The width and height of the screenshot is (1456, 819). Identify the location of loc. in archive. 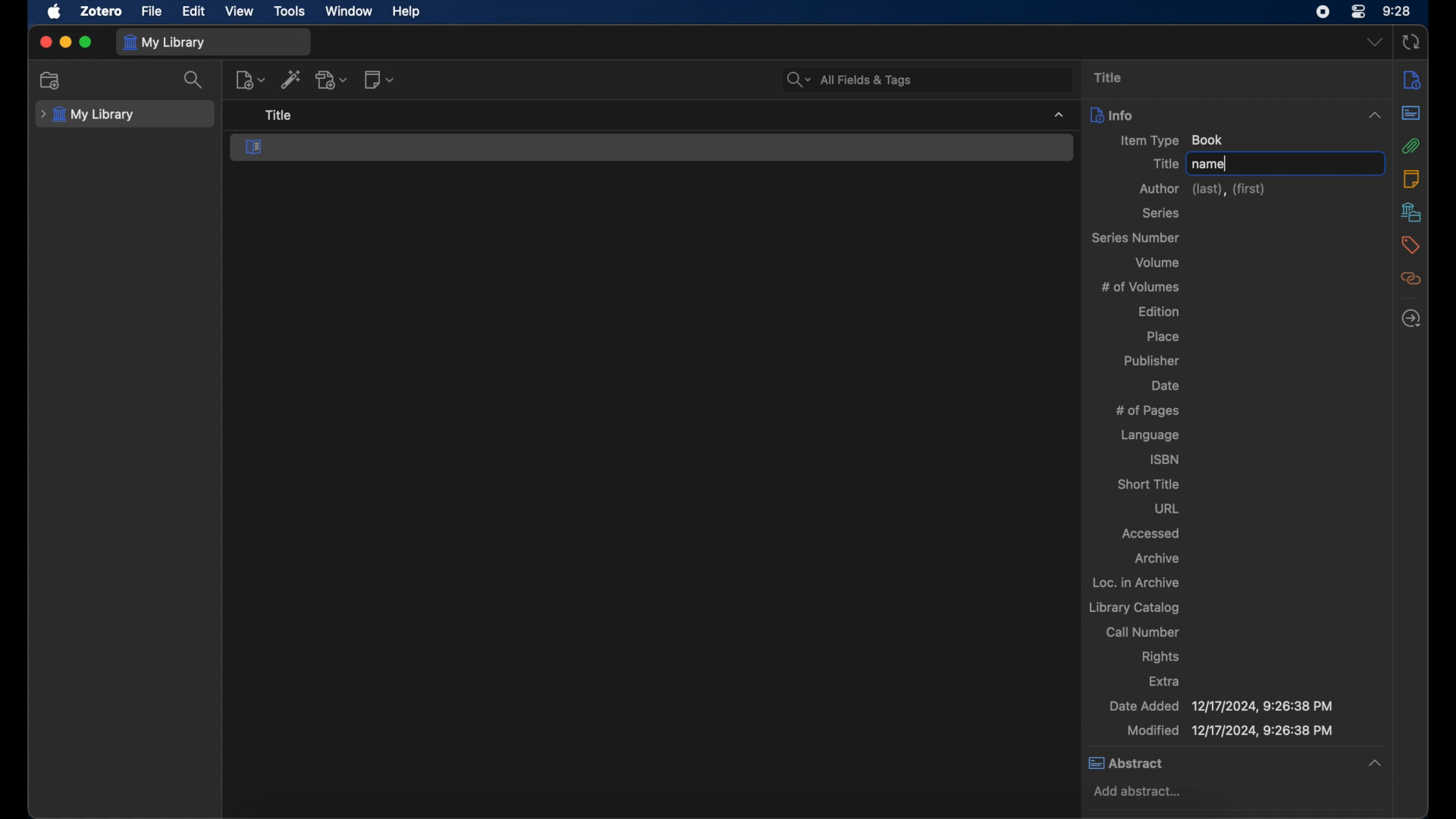
(1136, 582).